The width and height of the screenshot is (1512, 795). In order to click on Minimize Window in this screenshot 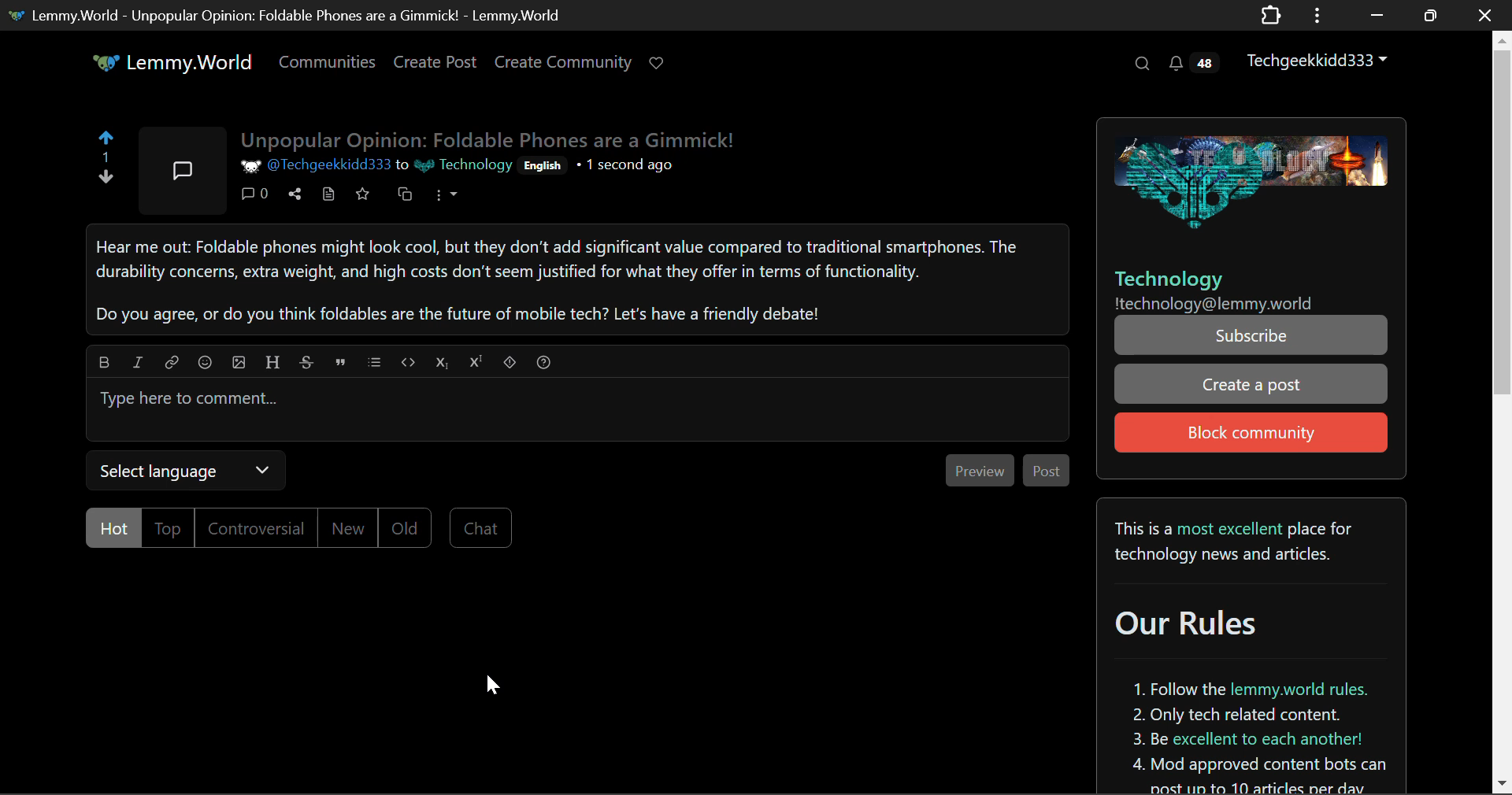, I will do `click(1432, 15)`.